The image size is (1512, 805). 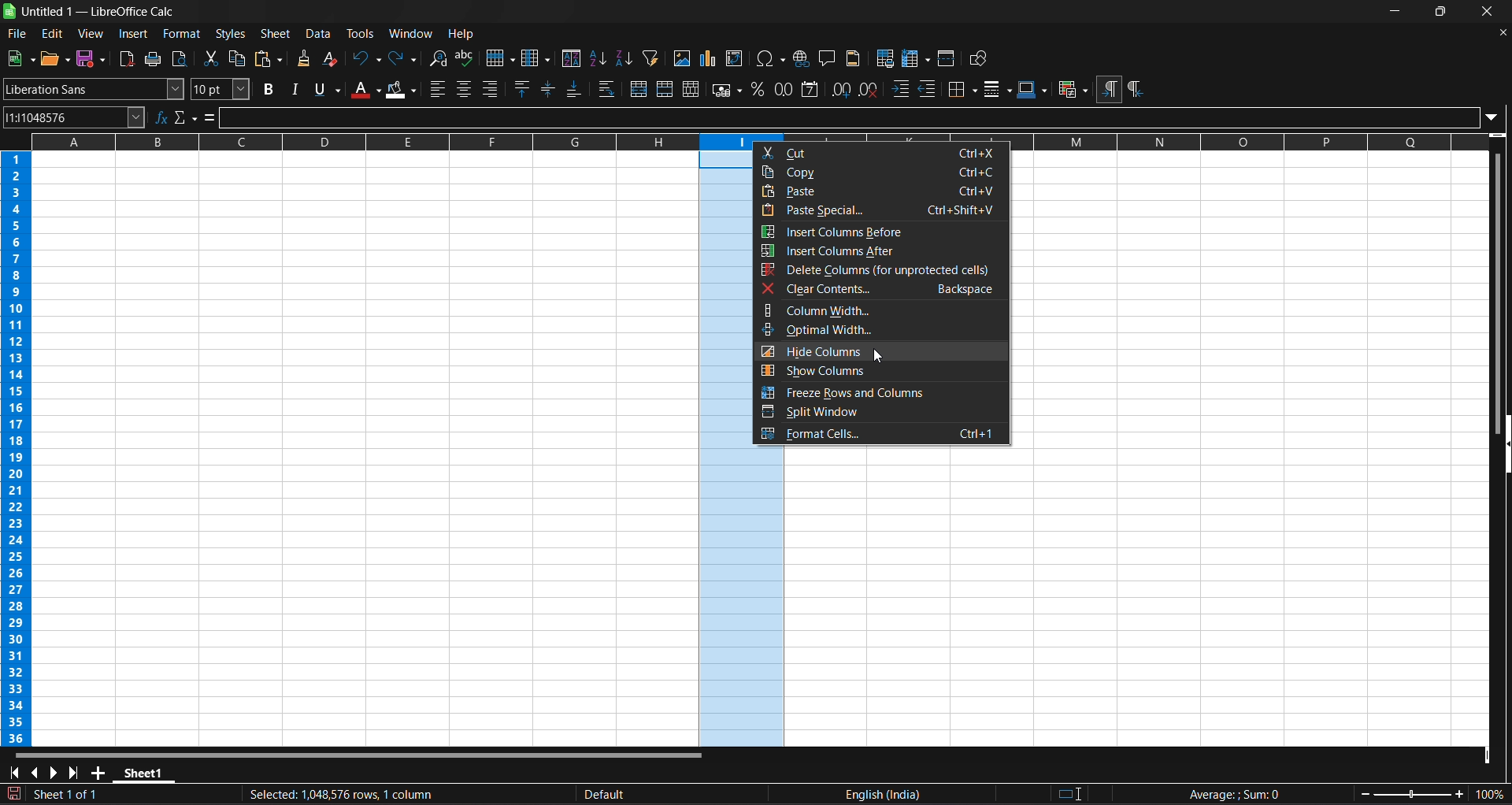 I want to click on cut, so click(x=879, y=154).